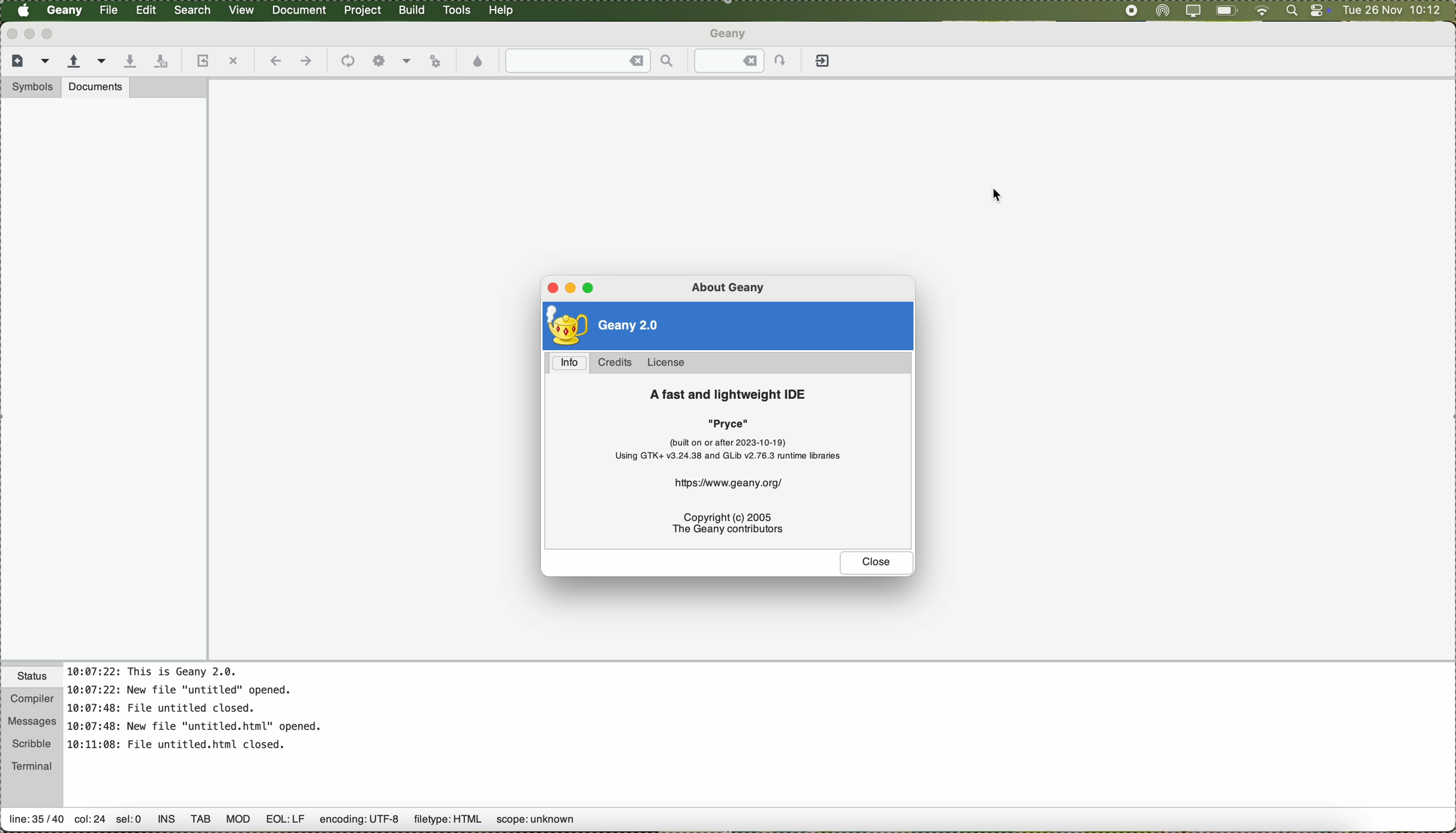 This screenshot has height=833, width=1456. What do you see at coordinates (13, 35) in the screenshot?
I see `Close Geany` at bounding box center [13, 35].